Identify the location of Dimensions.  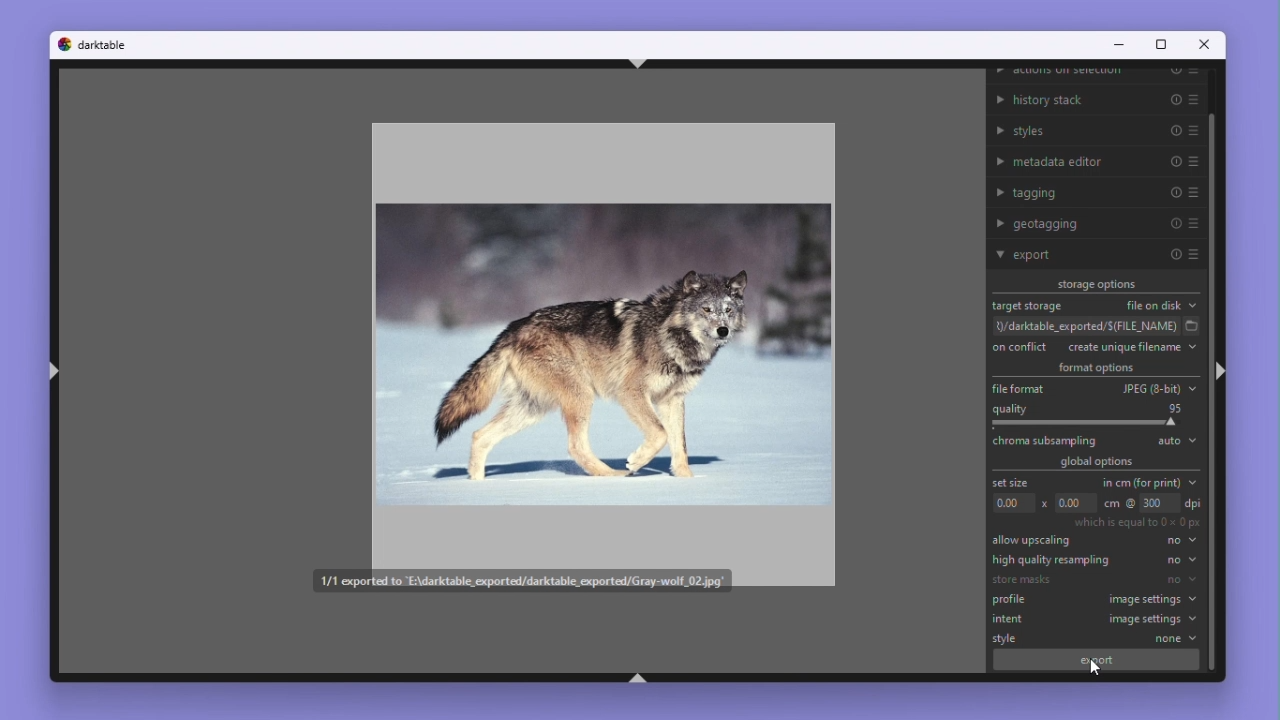
(1083, 503).